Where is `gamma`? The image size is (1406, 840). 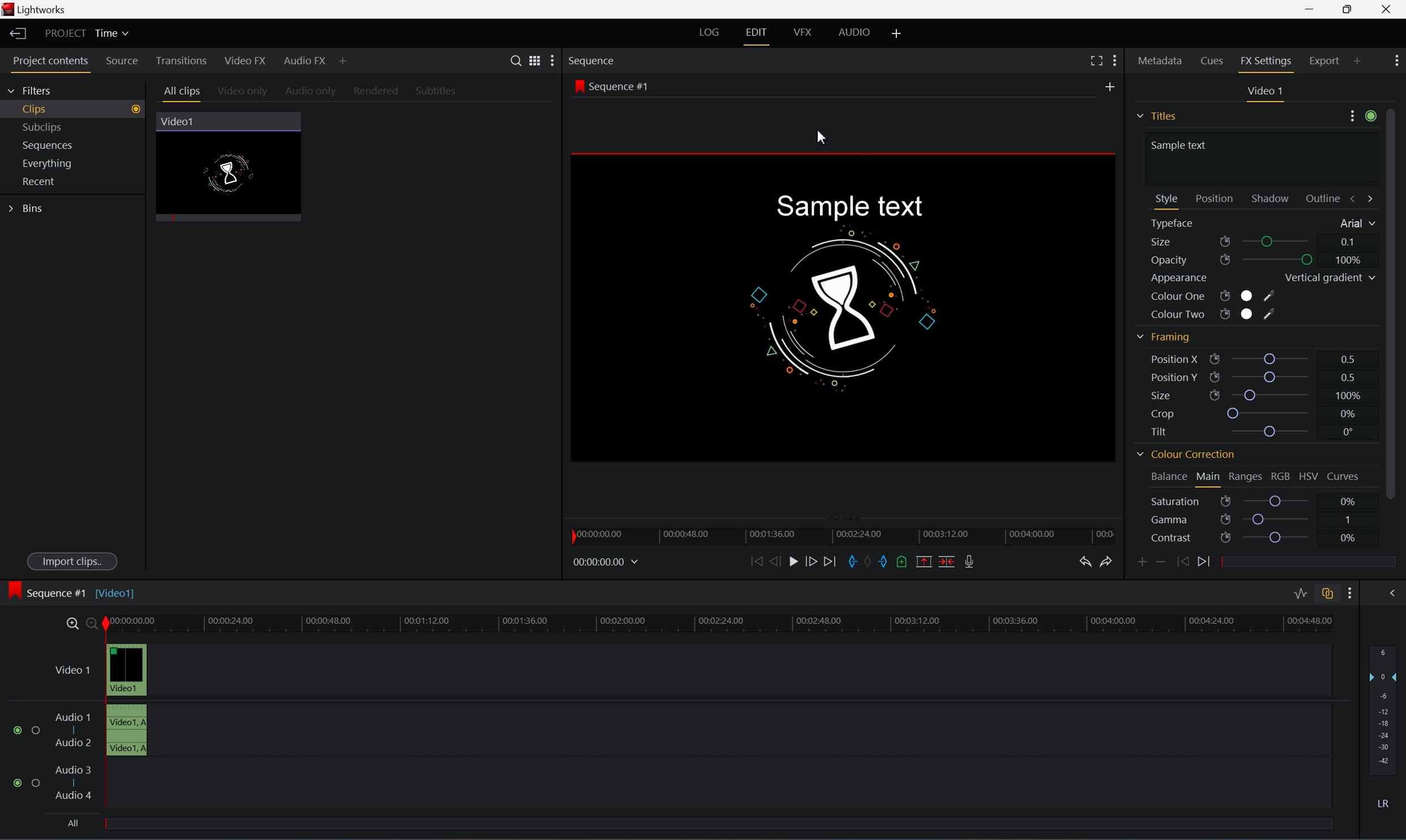 gamma is located at coordinates (1190, 520).